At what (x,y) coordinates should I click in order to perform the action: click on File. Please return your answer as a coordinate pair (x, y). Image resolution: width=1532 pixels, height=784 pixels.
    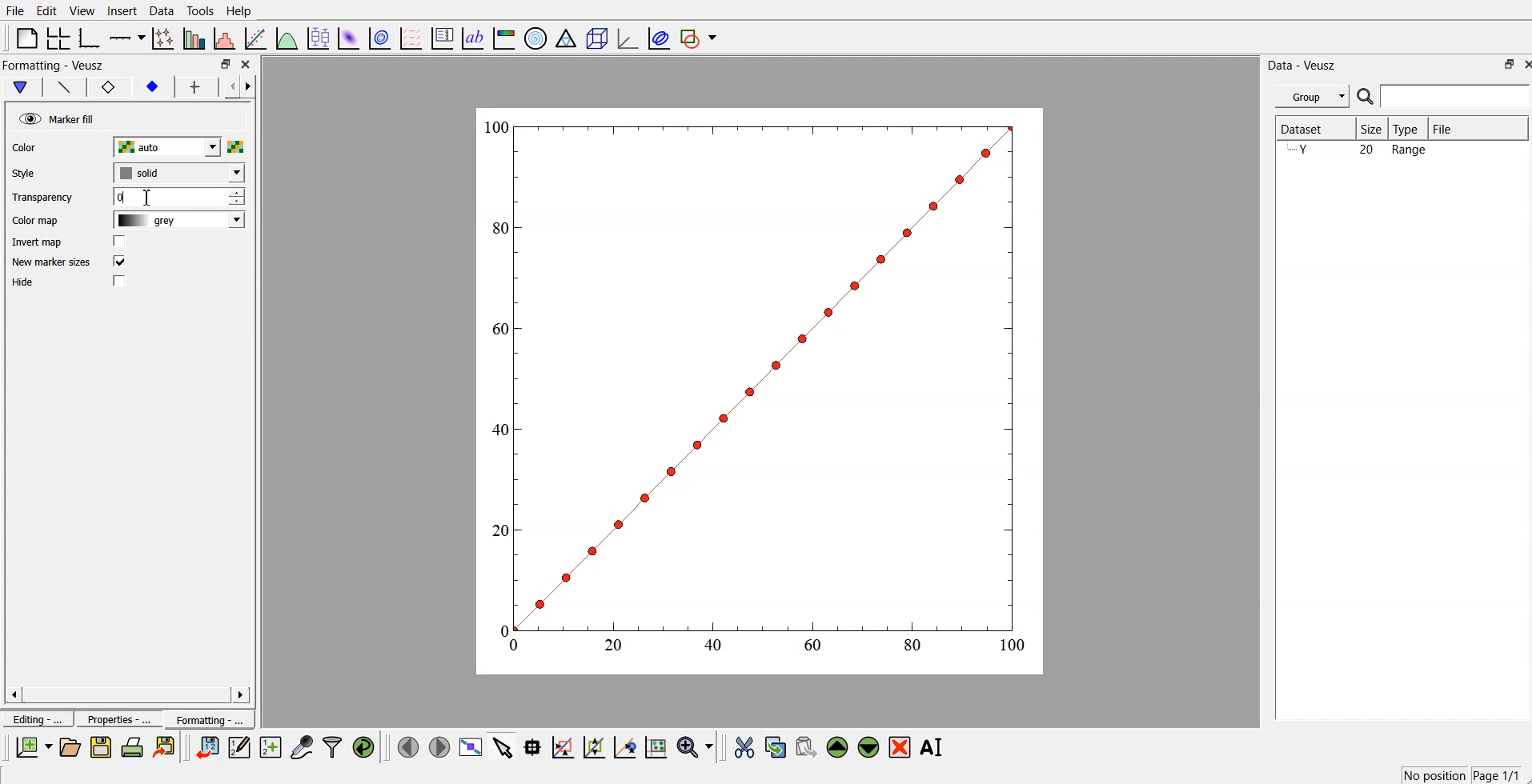
    Looking at the image, I should click on (1478, 128).